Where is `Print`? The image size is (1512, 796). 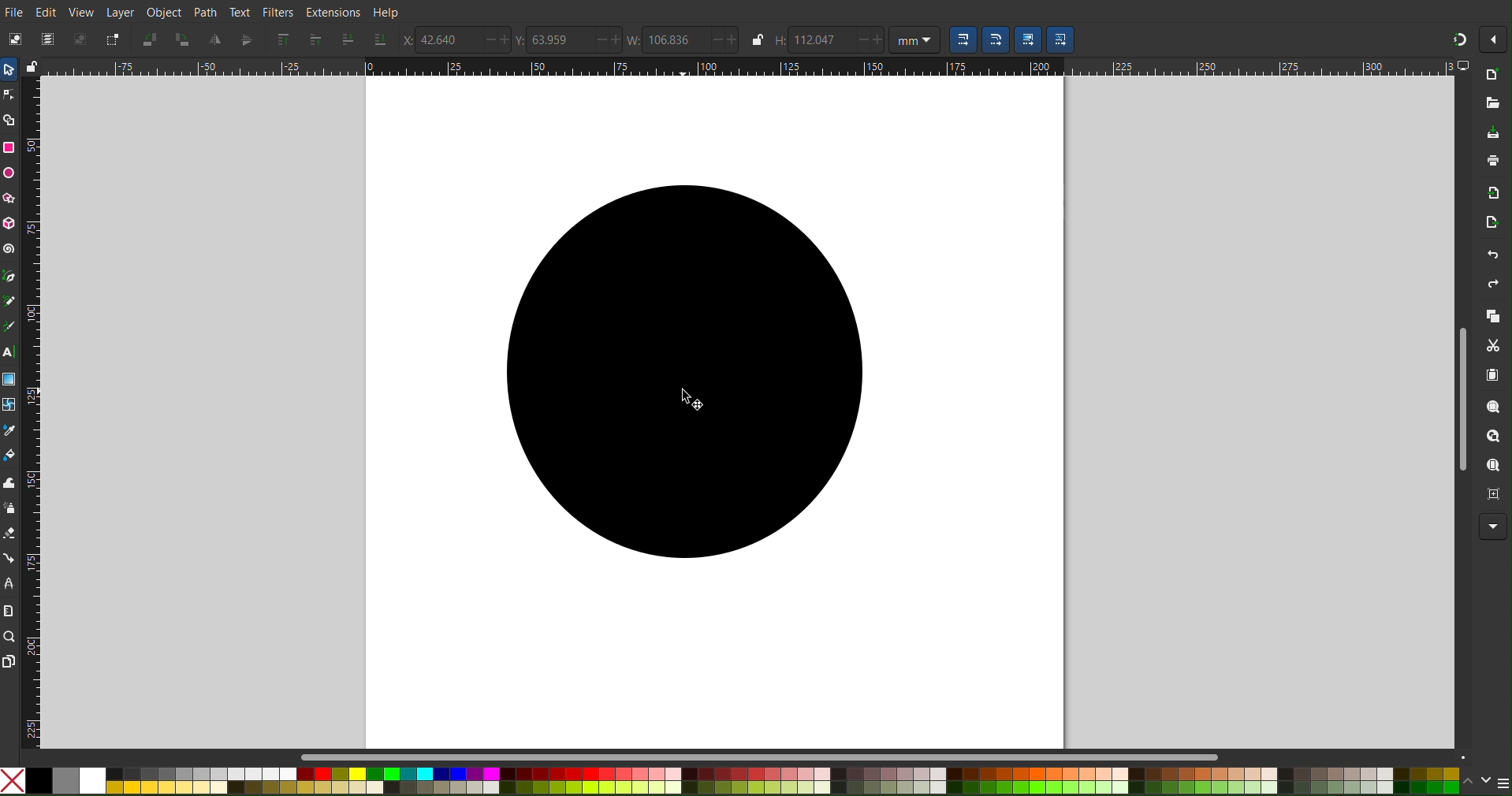
Print is located at coordinates (1490, 164).